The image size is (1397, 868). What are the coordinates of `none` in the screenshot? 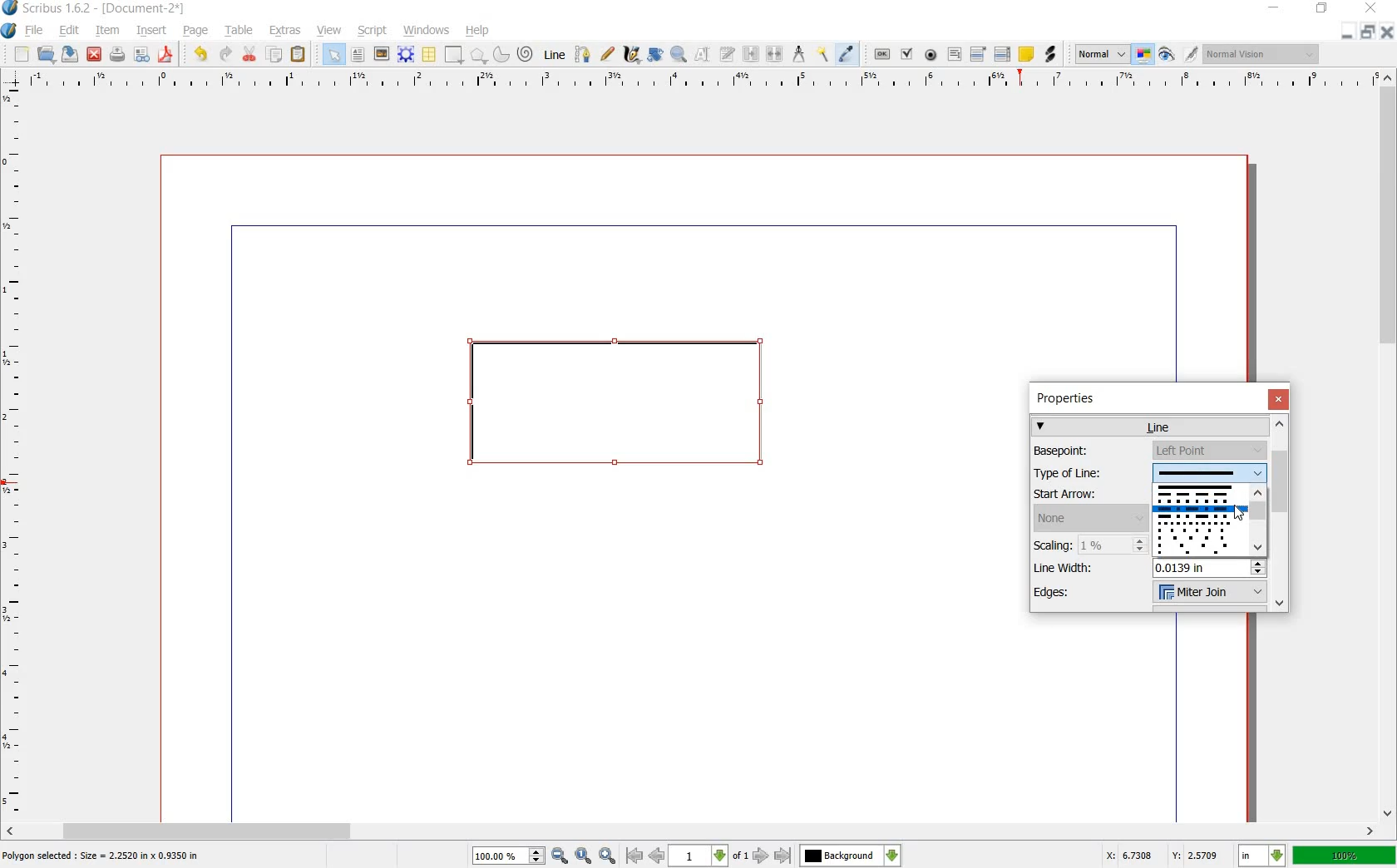 It's located at (1090, 518).